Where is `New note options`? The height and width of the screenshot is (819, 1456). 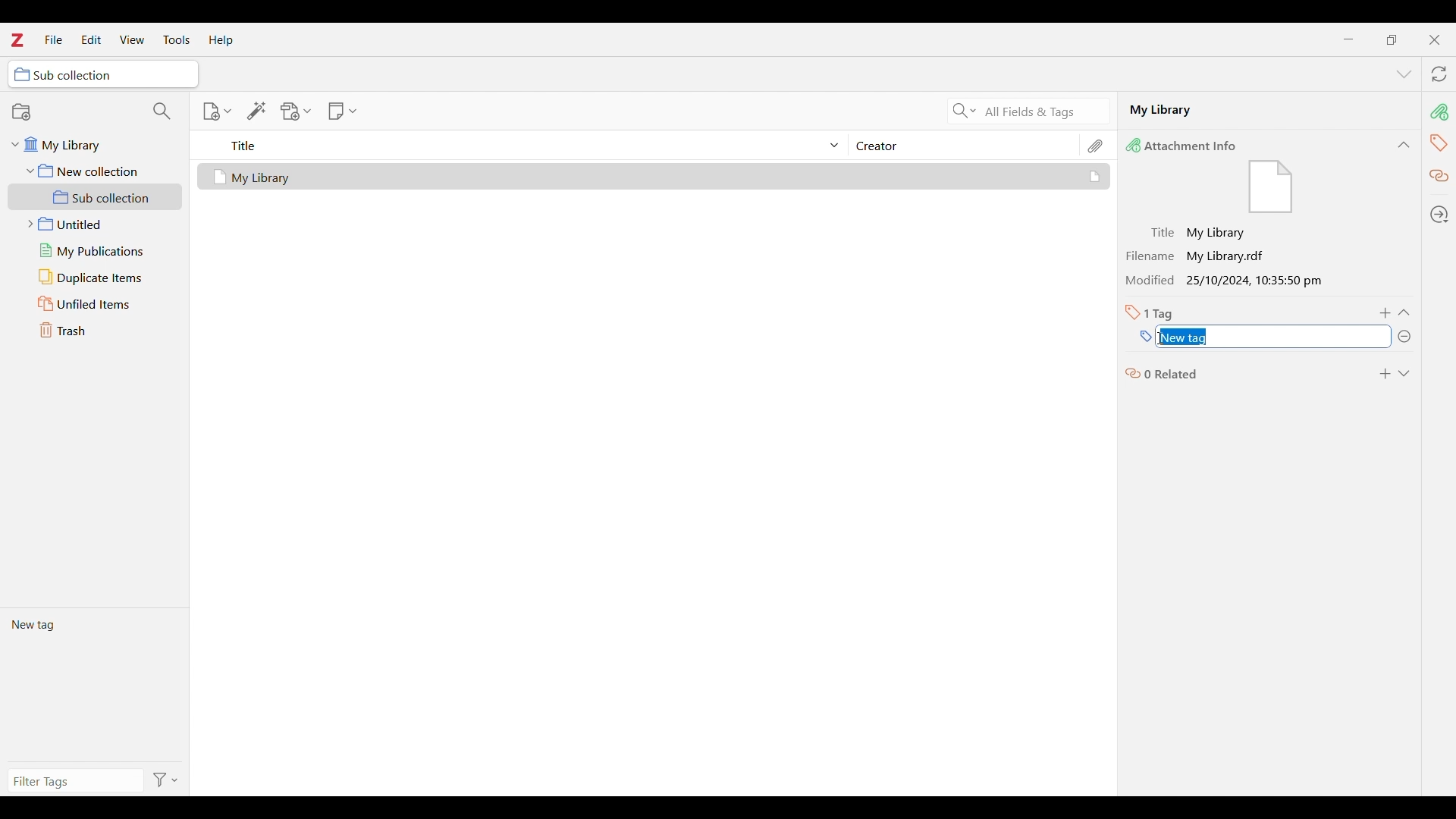
New note options is located at coordinates (343, 111).